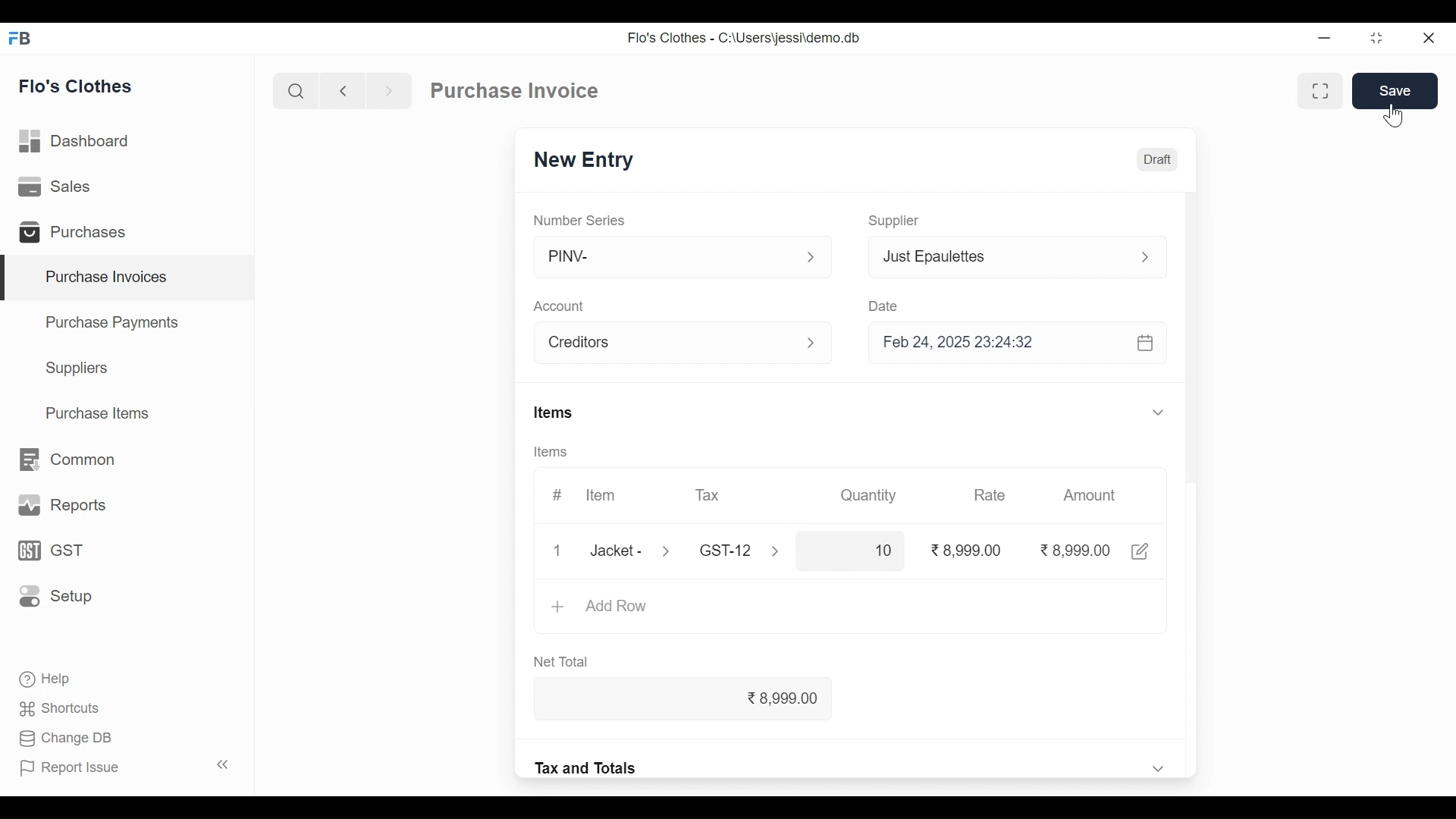 The height and width of the screenshot is (819, 1456). Describe the element at coordinates (388, 91) in the screenshot. I see `Navigate forward` at that location.